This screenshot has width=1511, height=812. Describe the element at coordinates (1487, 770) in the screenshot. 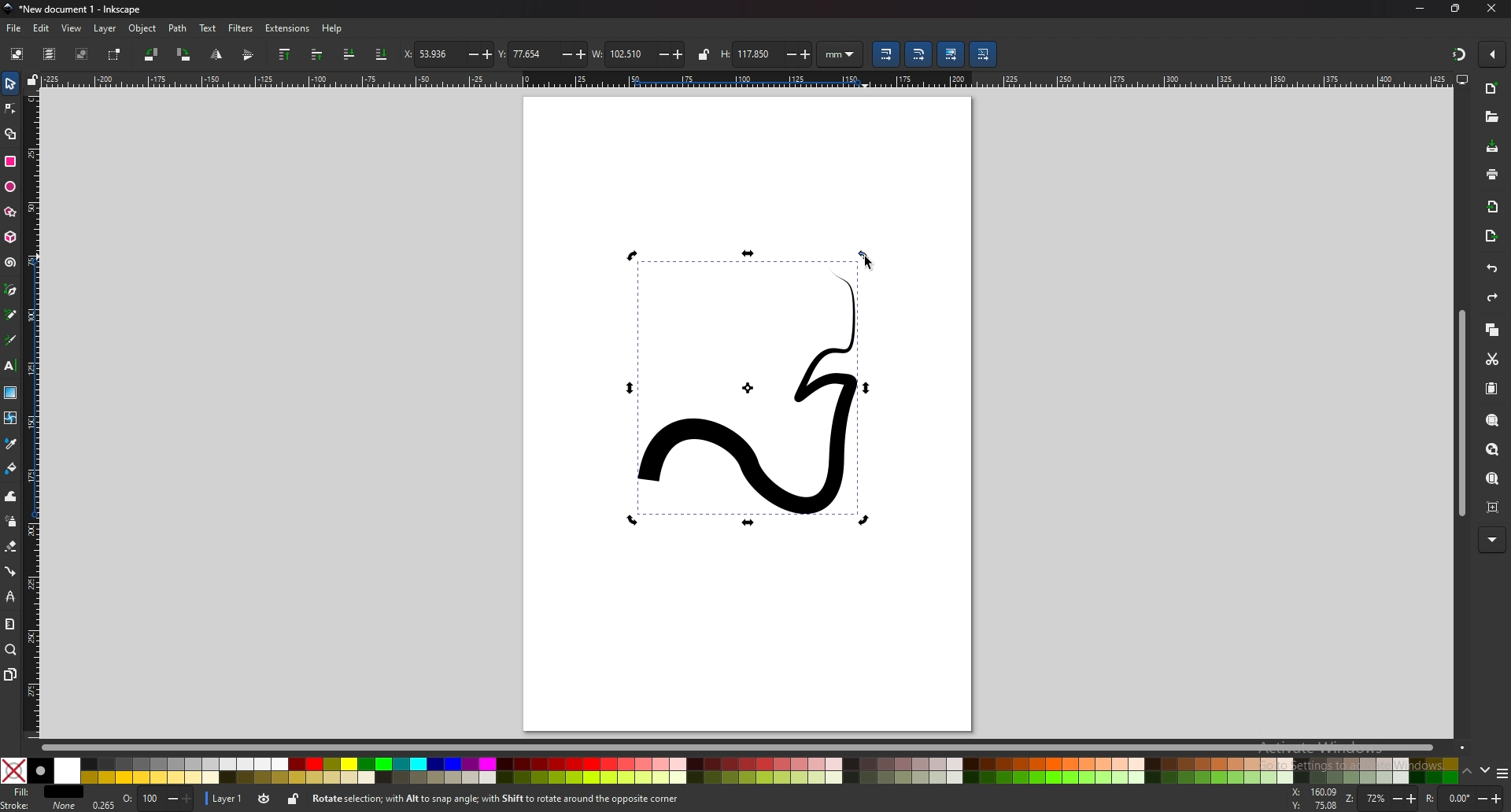

I see `down` at that location.